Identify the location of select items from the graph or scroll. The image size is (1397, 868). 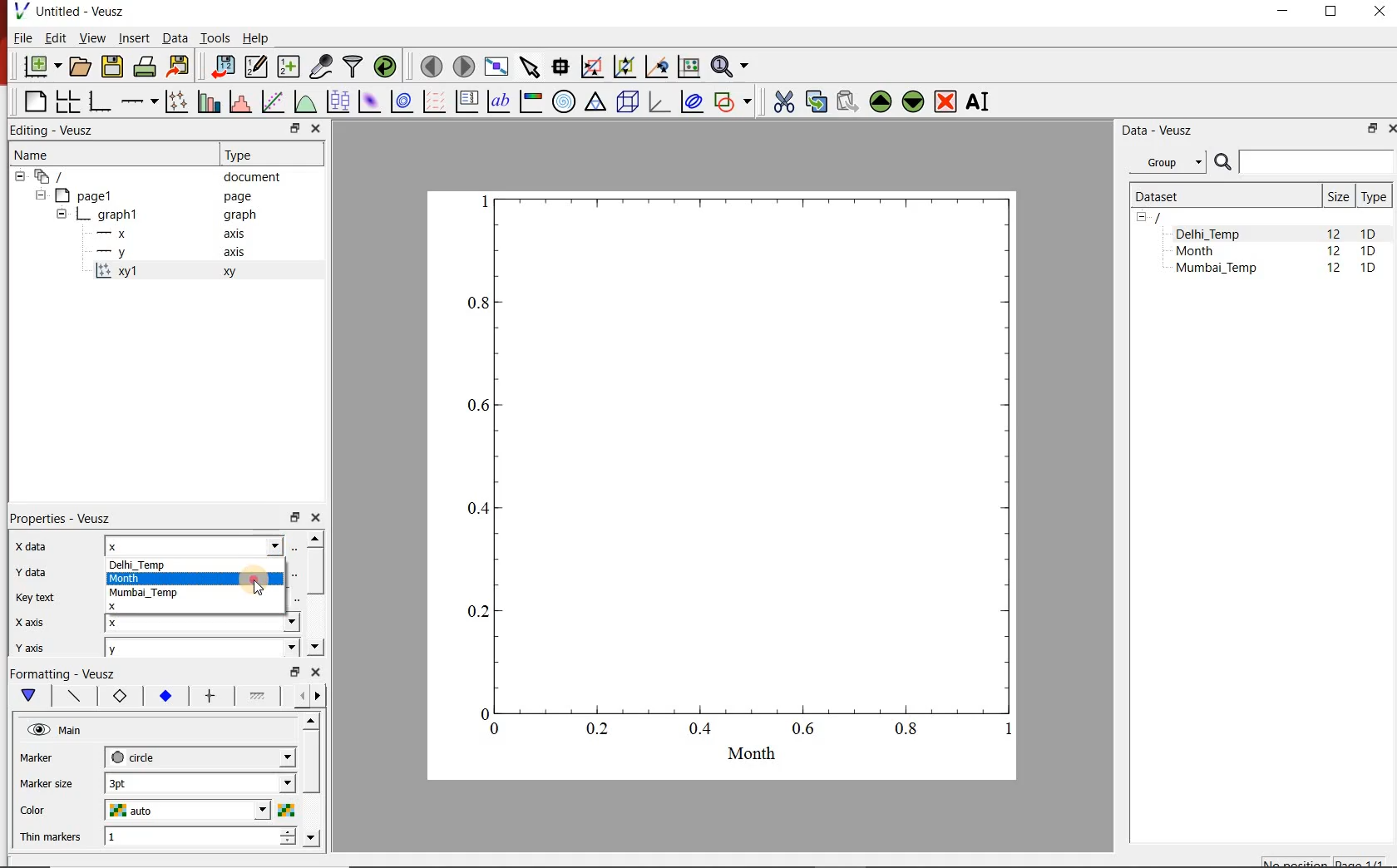
(531, 67).